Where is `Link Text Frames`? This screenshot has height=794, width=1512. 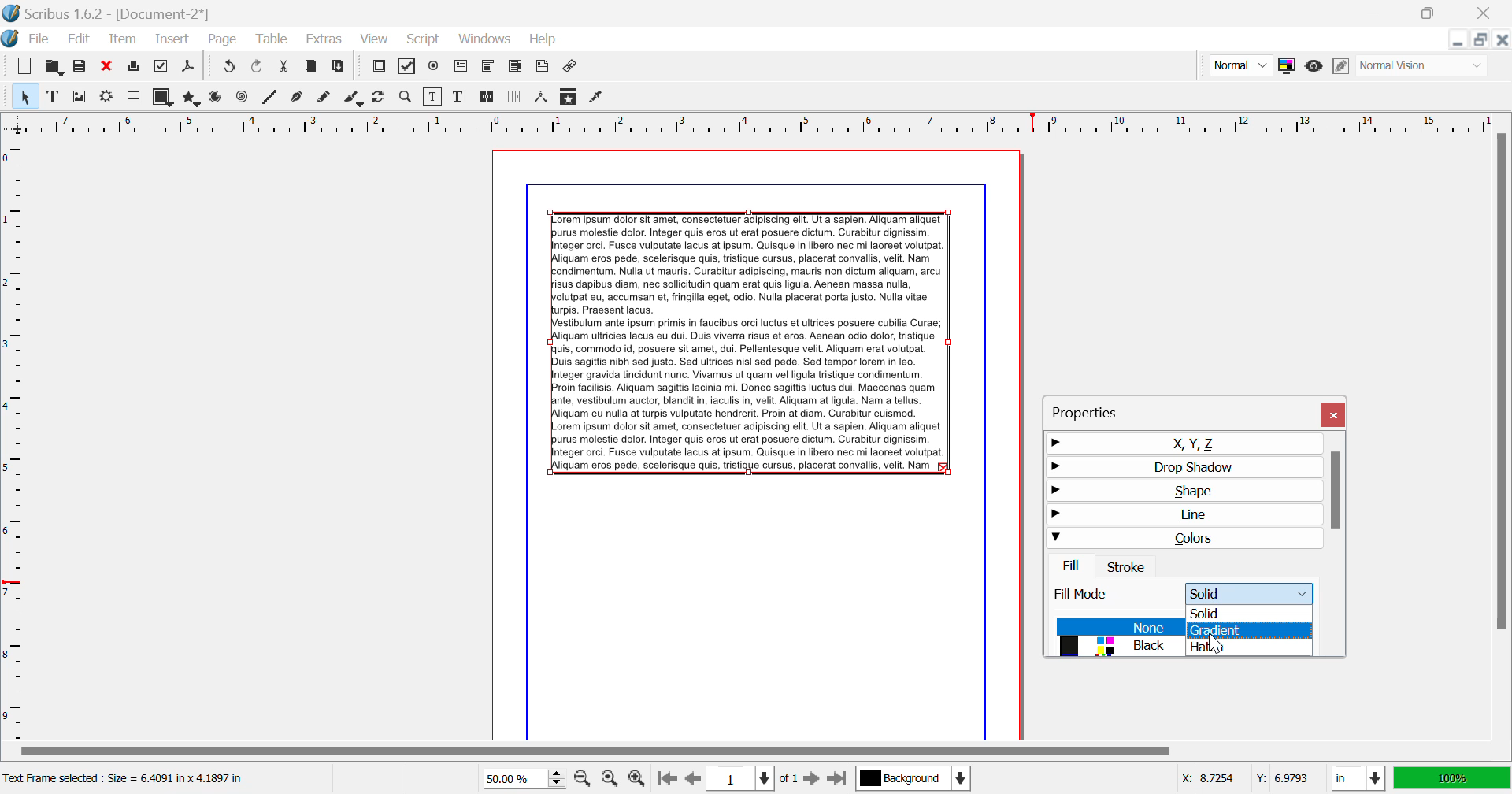
Link Text Frames is located at coordinates (488, 98).